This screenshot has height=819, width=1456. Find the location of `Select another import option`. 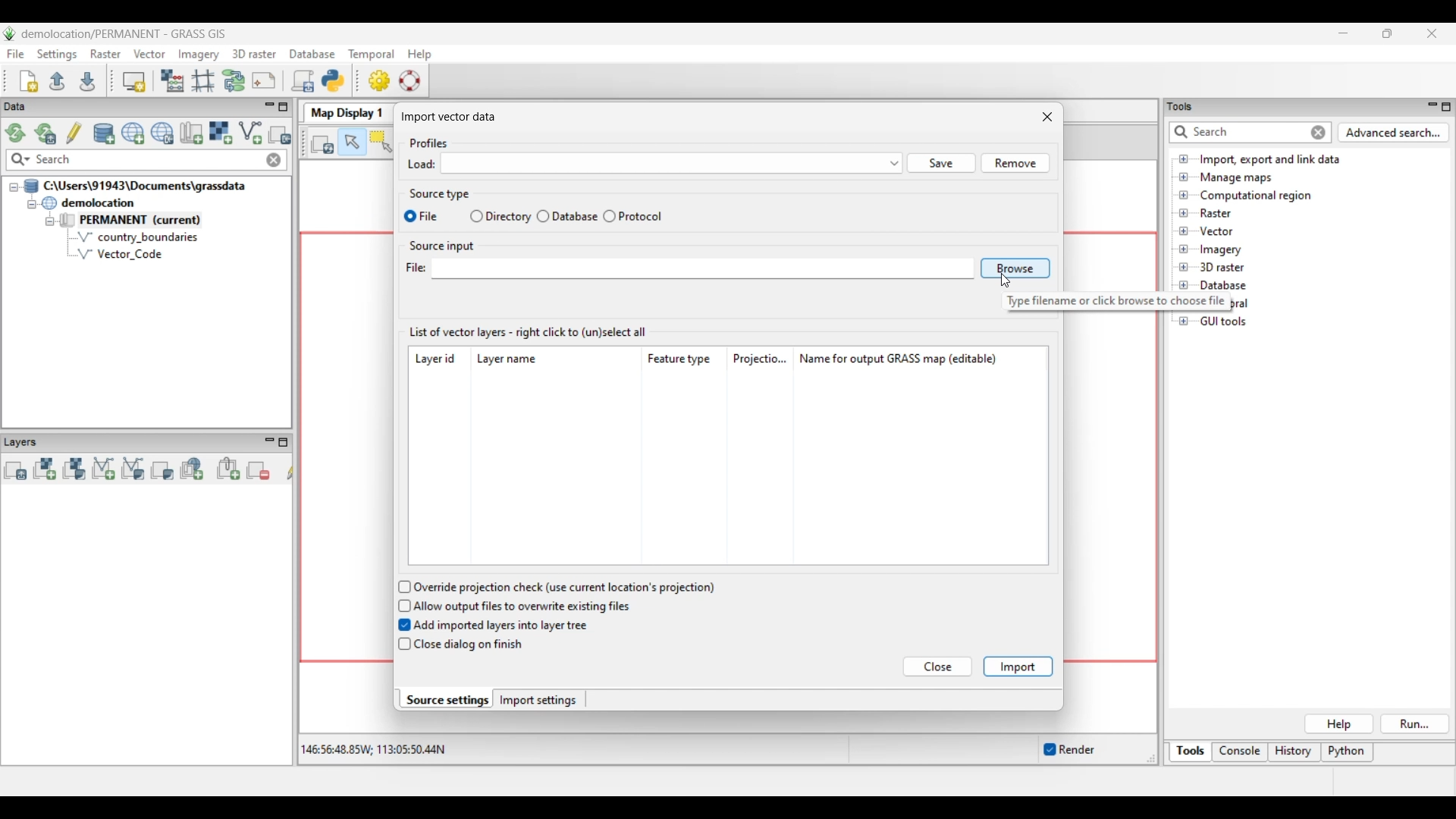

Select another import option is located at coordinates (279, 134).